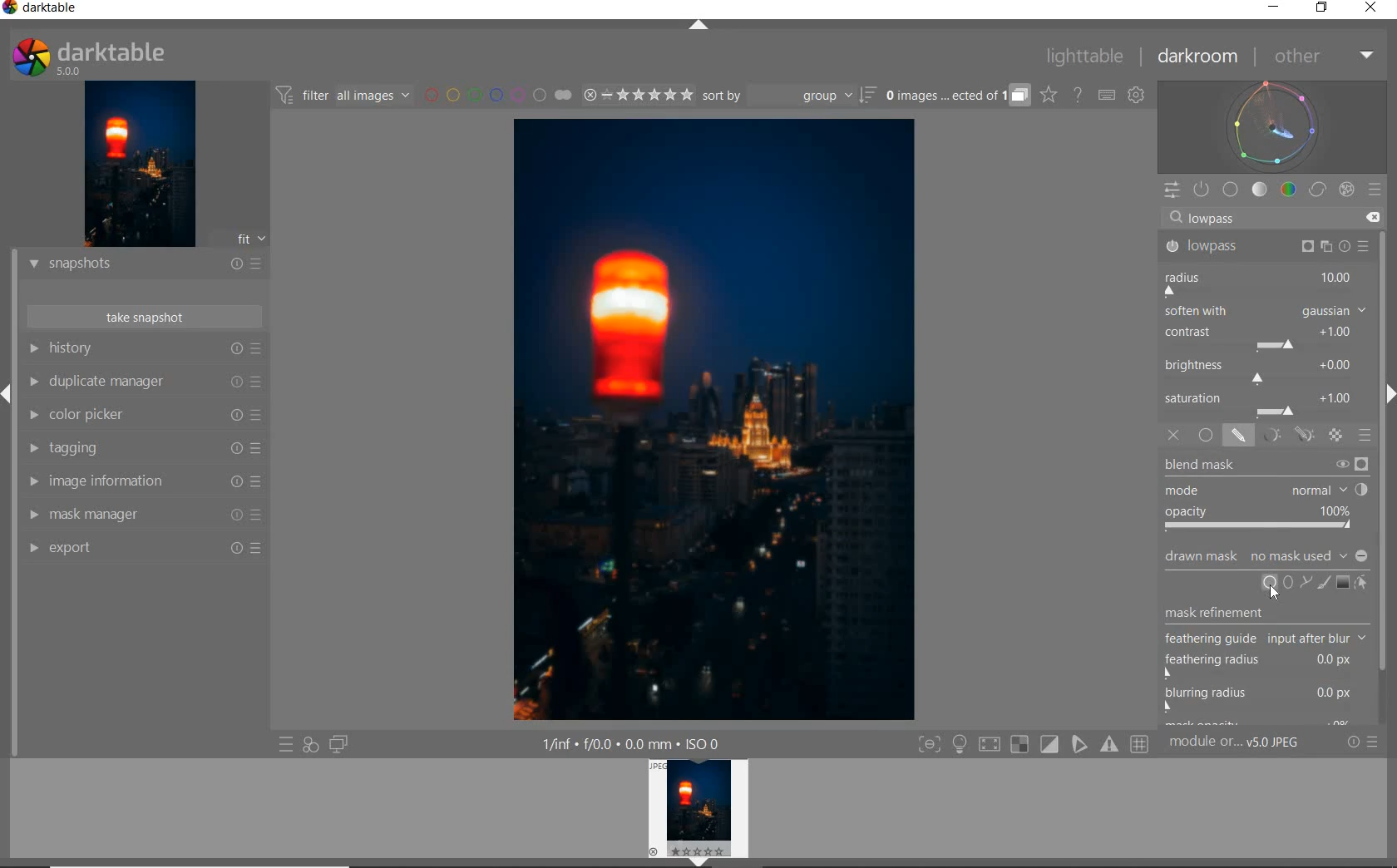  I want to click on Preset and reset, so click(1326, 248).